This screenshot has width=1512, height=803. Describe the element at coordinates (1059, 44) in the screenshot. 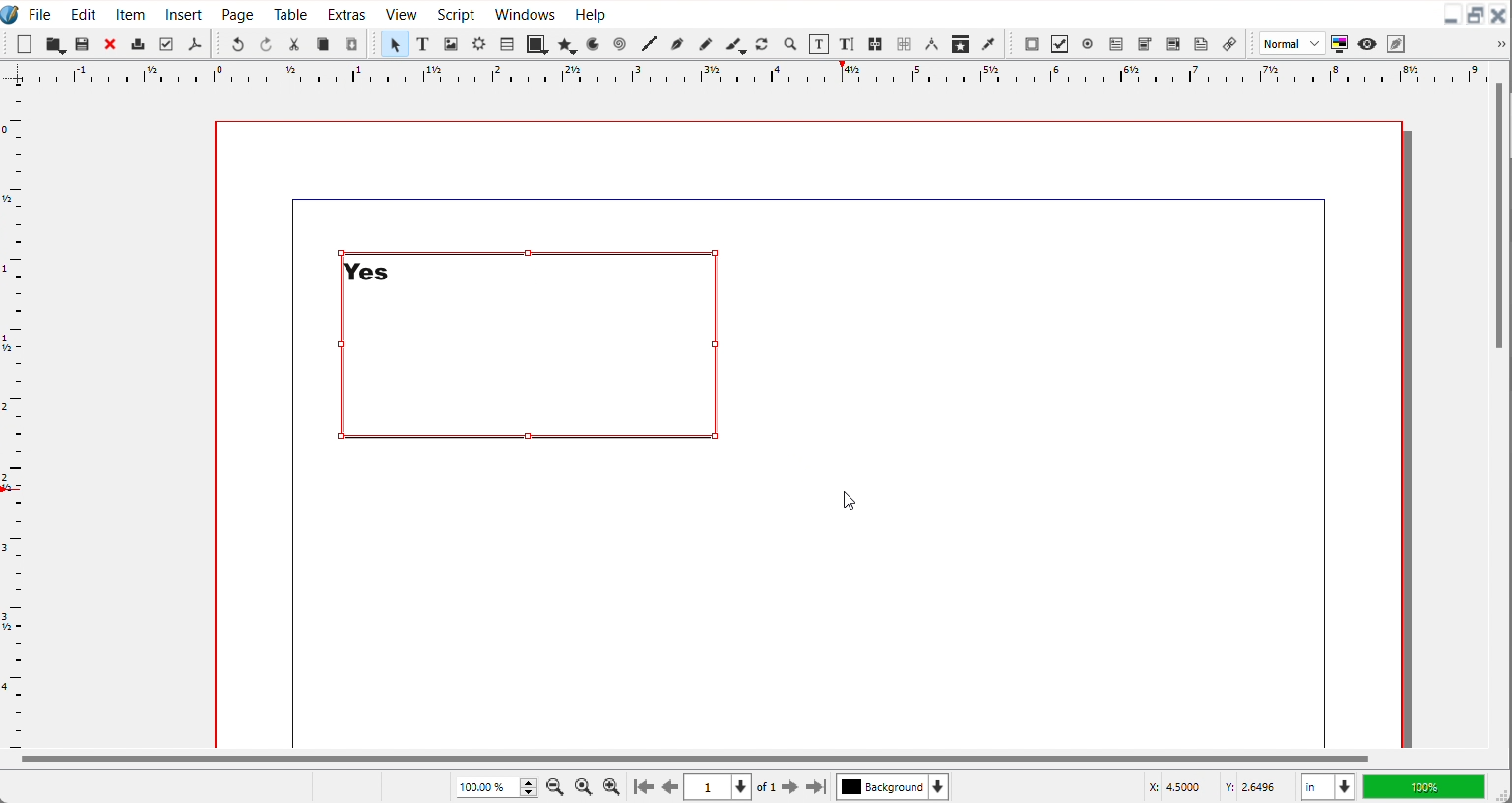

I see `PDF Check Button` at that location.